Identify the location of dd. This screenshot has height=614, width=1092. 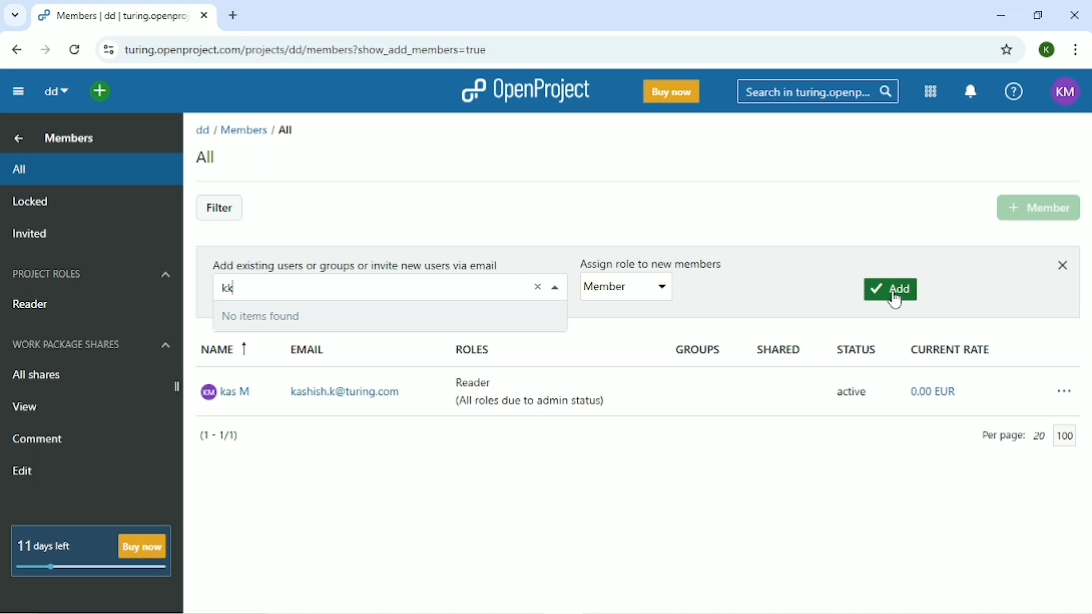
(58, 92).